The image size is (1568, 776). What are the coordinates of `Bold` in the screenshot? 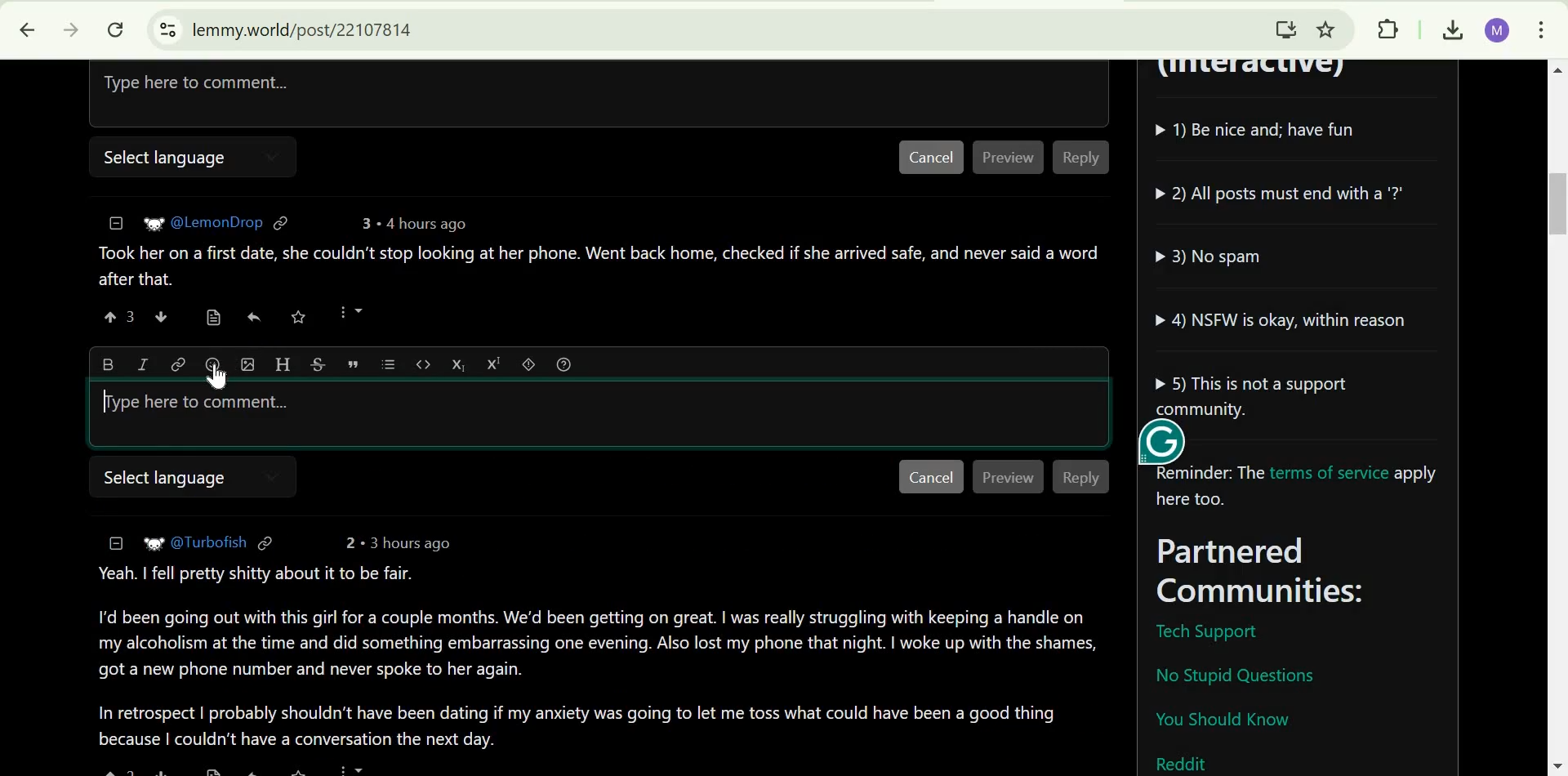 It's located at (108, 362).